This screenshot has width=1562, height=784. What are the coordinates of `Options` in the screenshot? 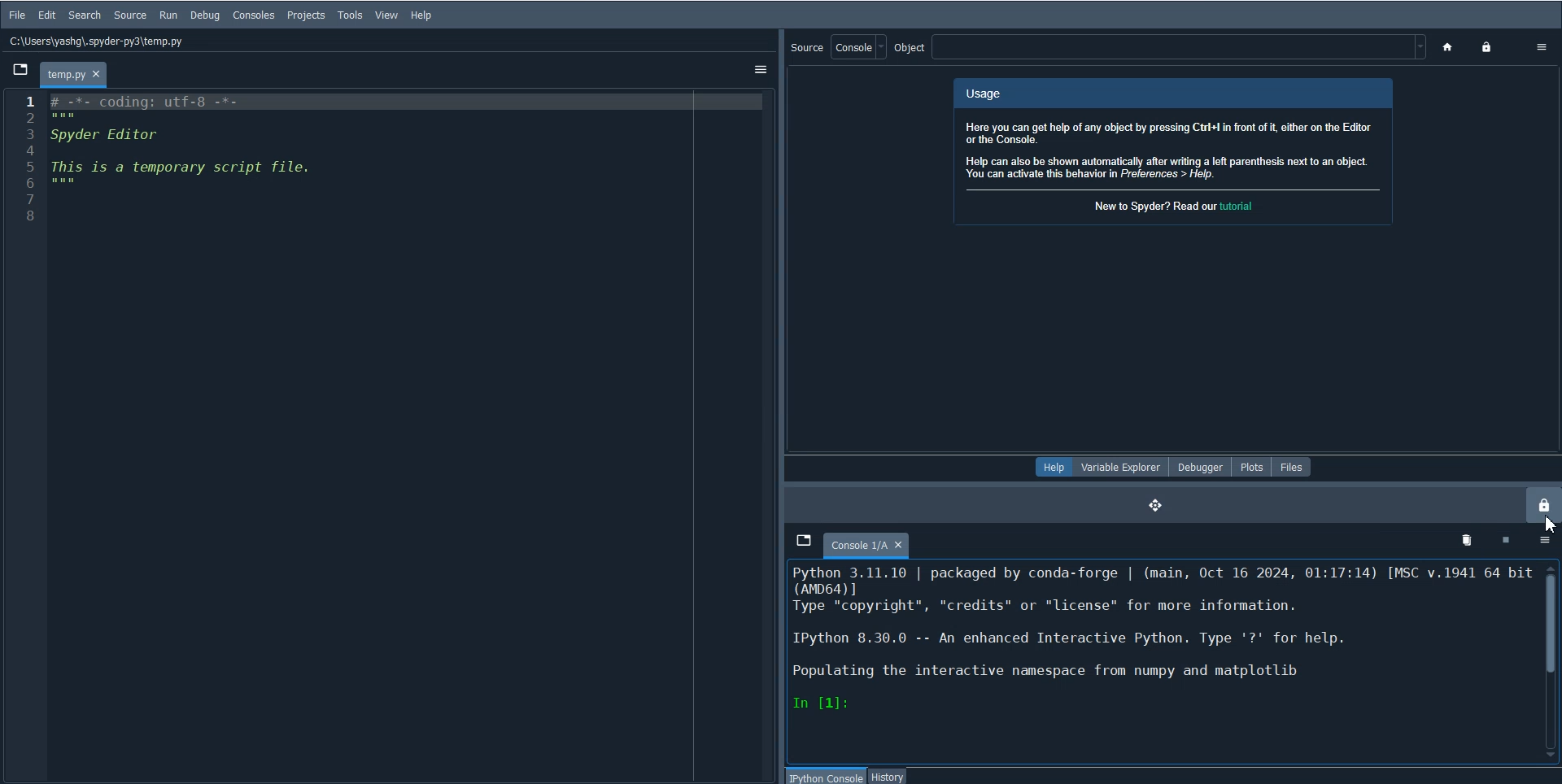 It's located at (1546, 538).